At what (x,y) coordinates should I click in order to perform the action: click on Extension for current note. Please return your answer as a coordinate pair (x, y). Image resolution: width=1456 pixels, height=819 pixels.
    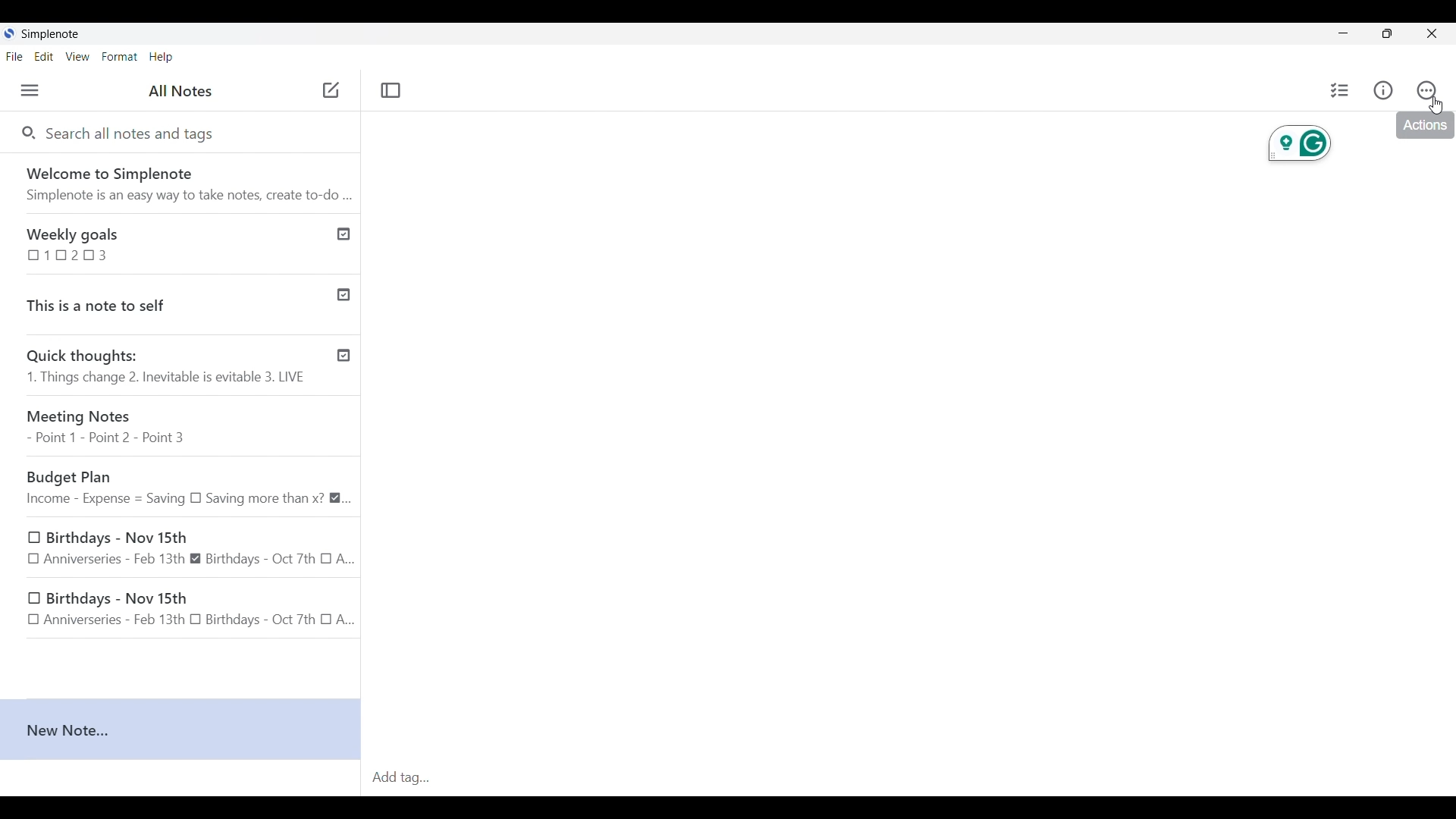
    Looking at the image, I should click on (1299, 143).